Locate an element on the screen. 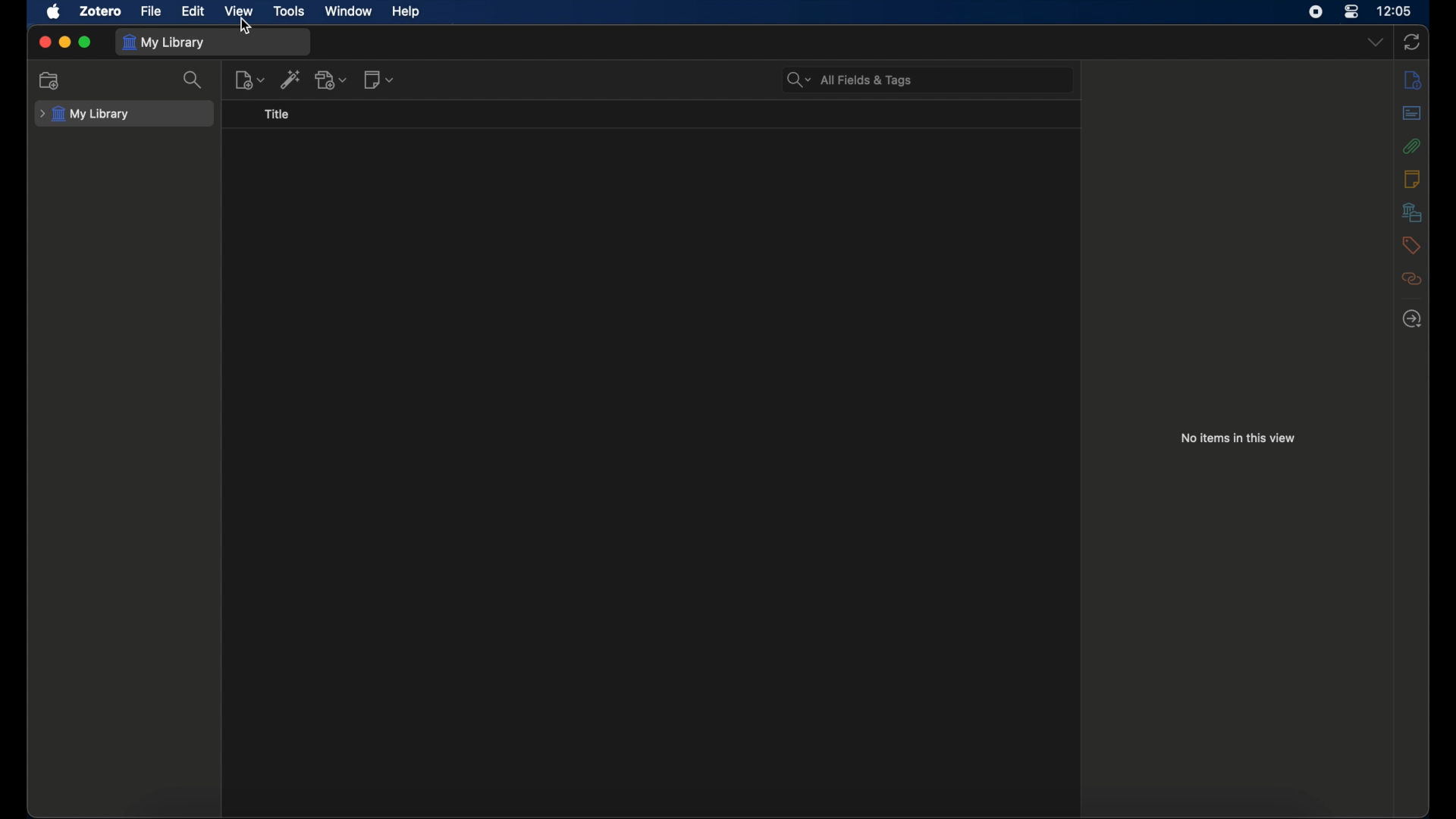  time is located at coordinates (1397, 10).